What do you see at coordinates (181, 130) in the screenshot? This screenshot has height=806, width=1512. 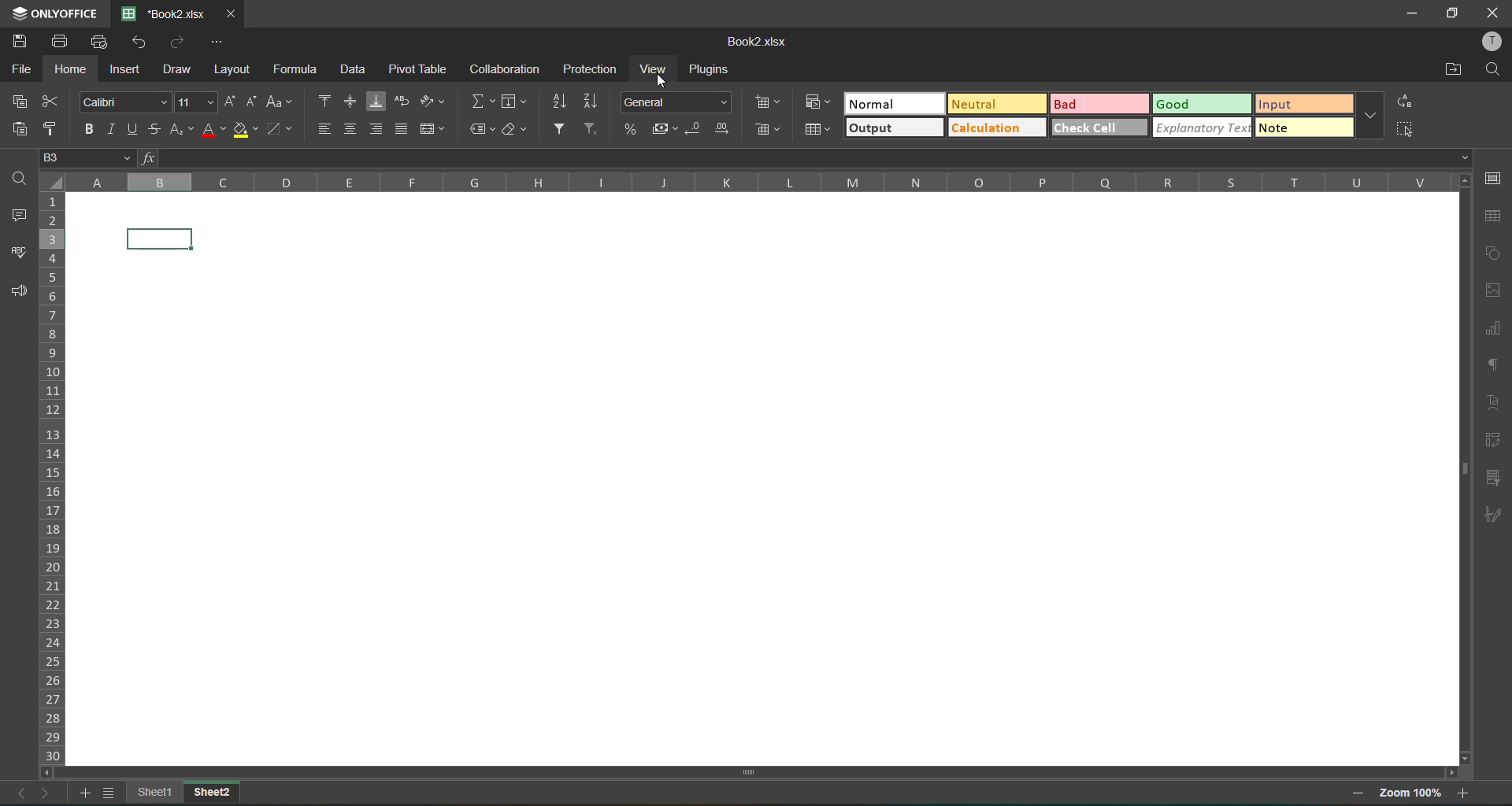 I see `sub/superscript` at bounding box center [181, 130].